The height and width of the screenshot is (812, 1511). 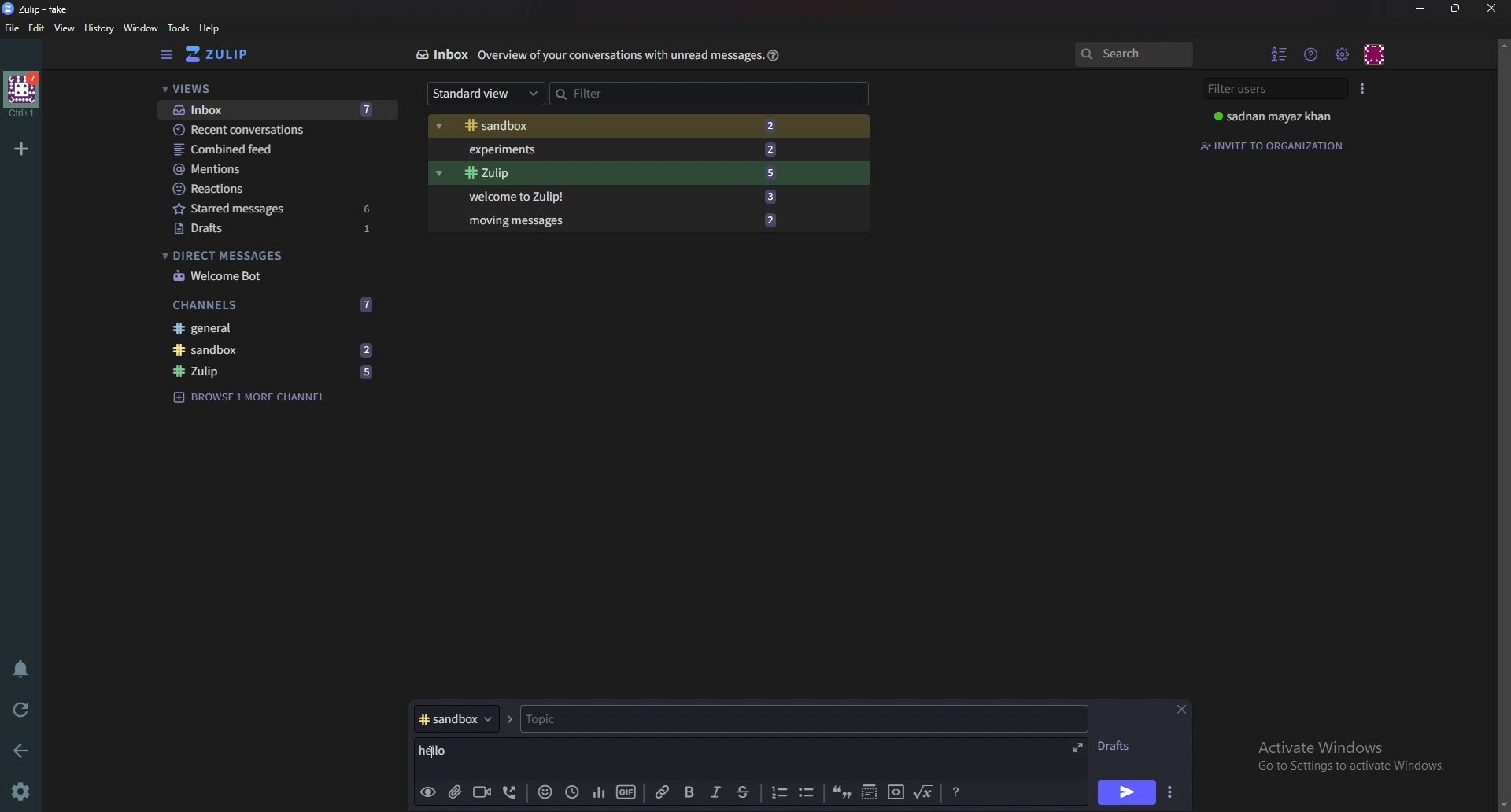 I want to click on Hide user list, so click(x=1278, y=52).